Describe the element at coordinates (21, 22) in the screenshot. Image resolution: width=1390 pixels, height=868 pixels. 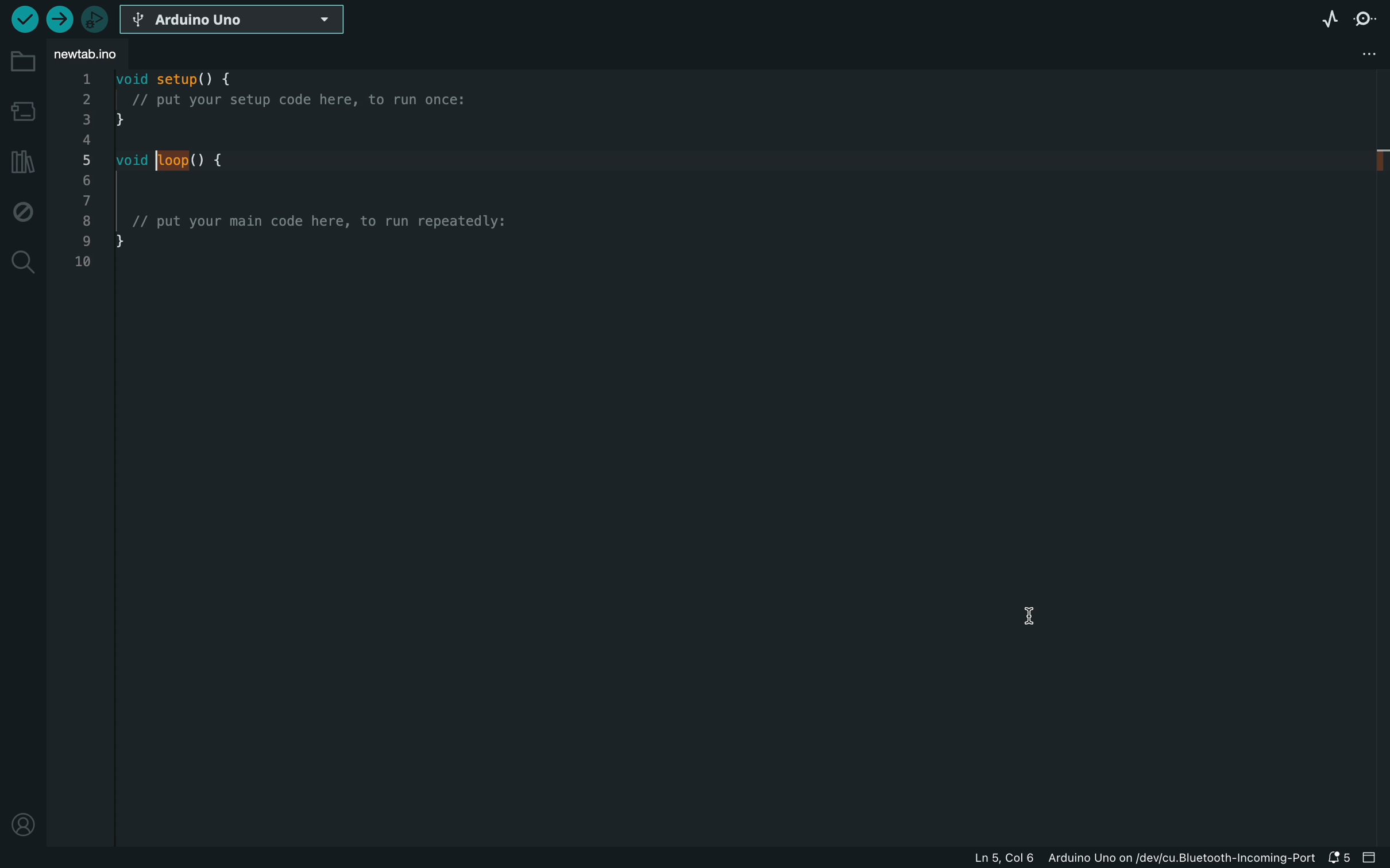
I see `verify` at that location.